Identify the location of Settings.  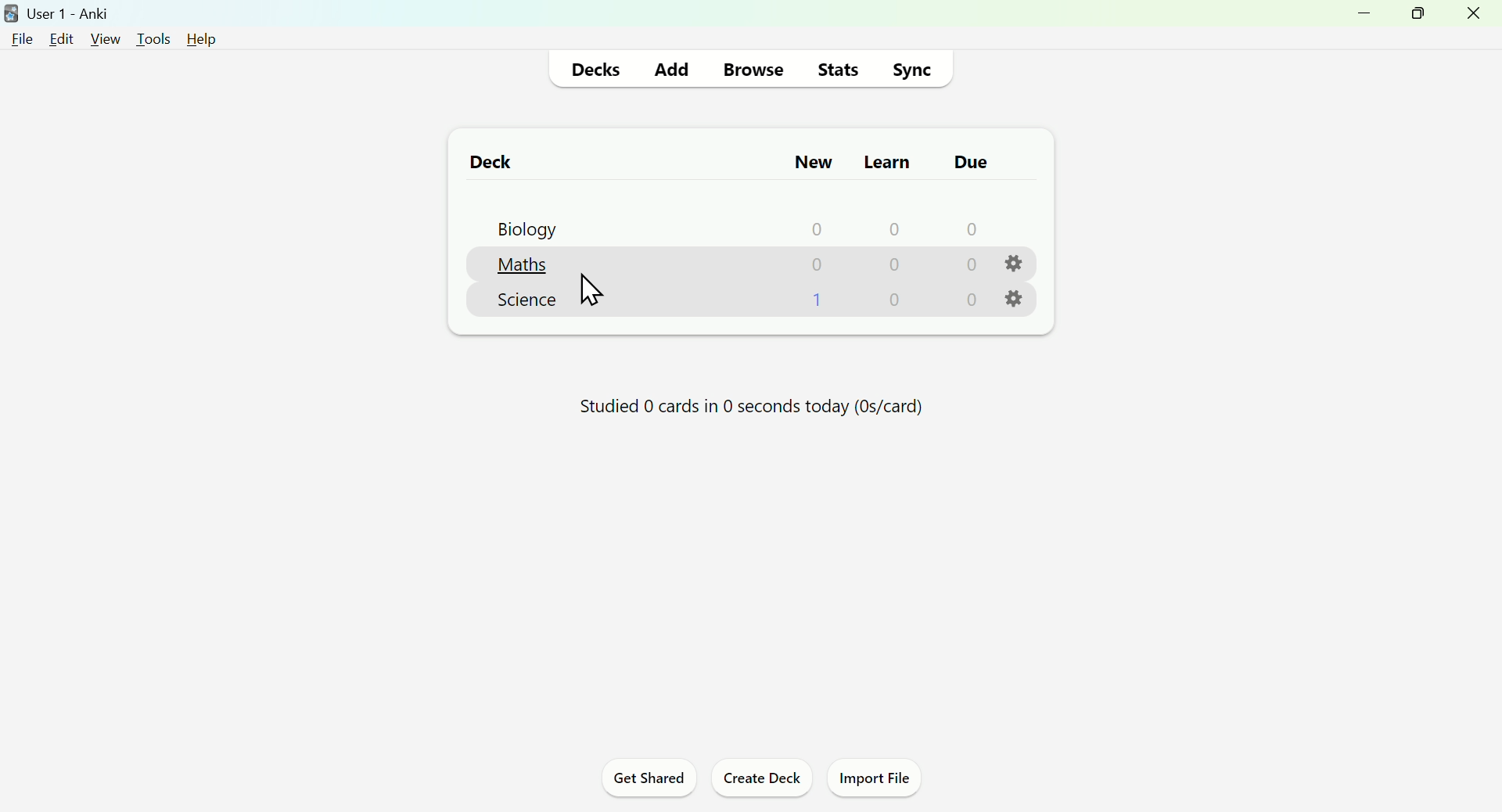
(1014, 264).